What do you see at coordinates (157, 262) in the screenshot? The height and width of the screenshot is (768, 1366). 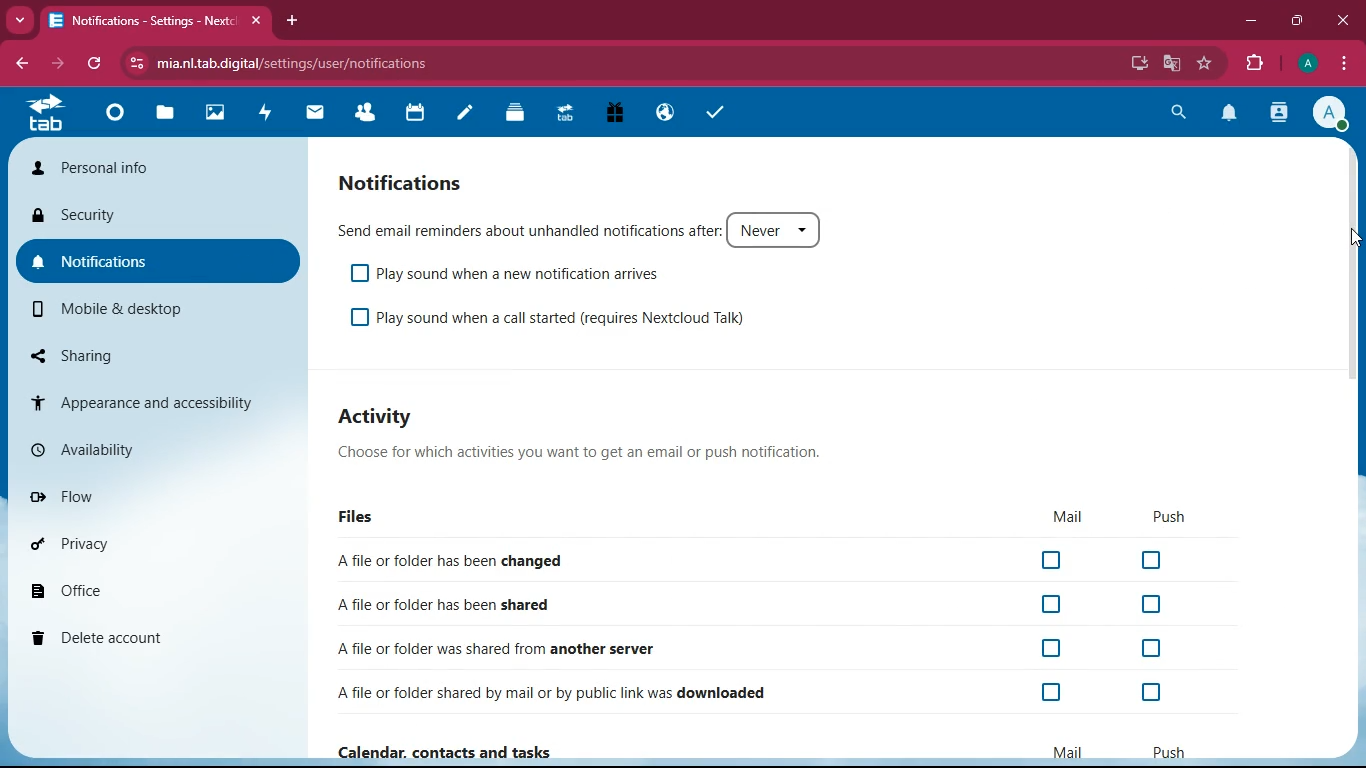 I see `notifications` at bounding box center [157, 262].